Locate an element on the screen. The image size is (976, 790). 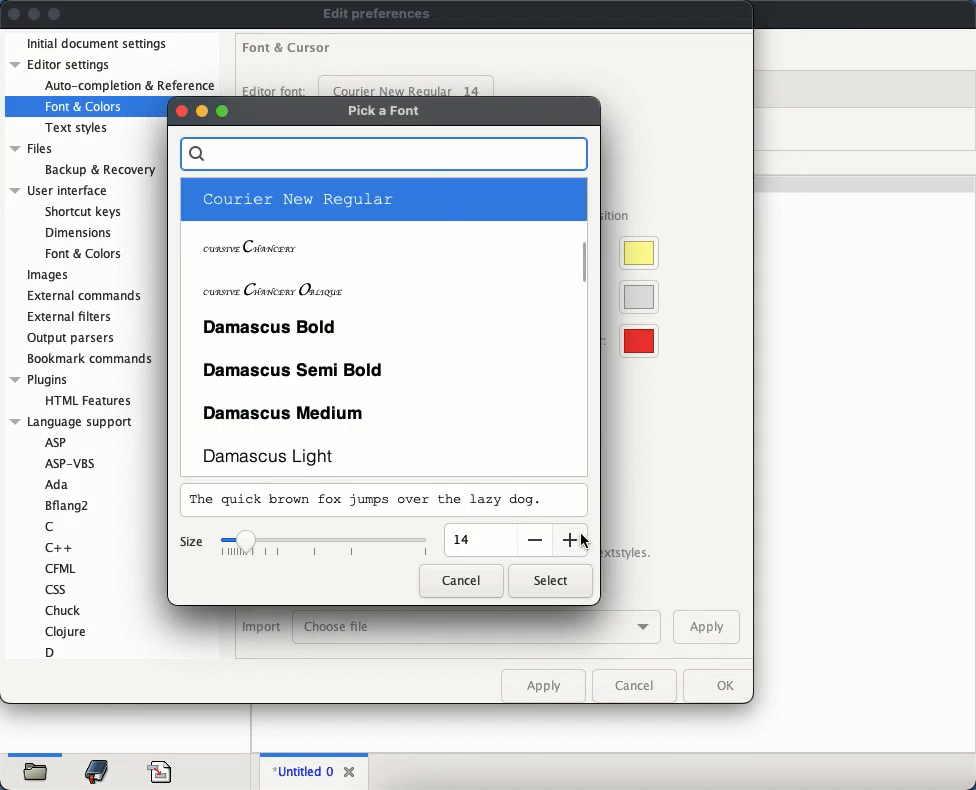
auto completion  is located at coordinates (129, 86).